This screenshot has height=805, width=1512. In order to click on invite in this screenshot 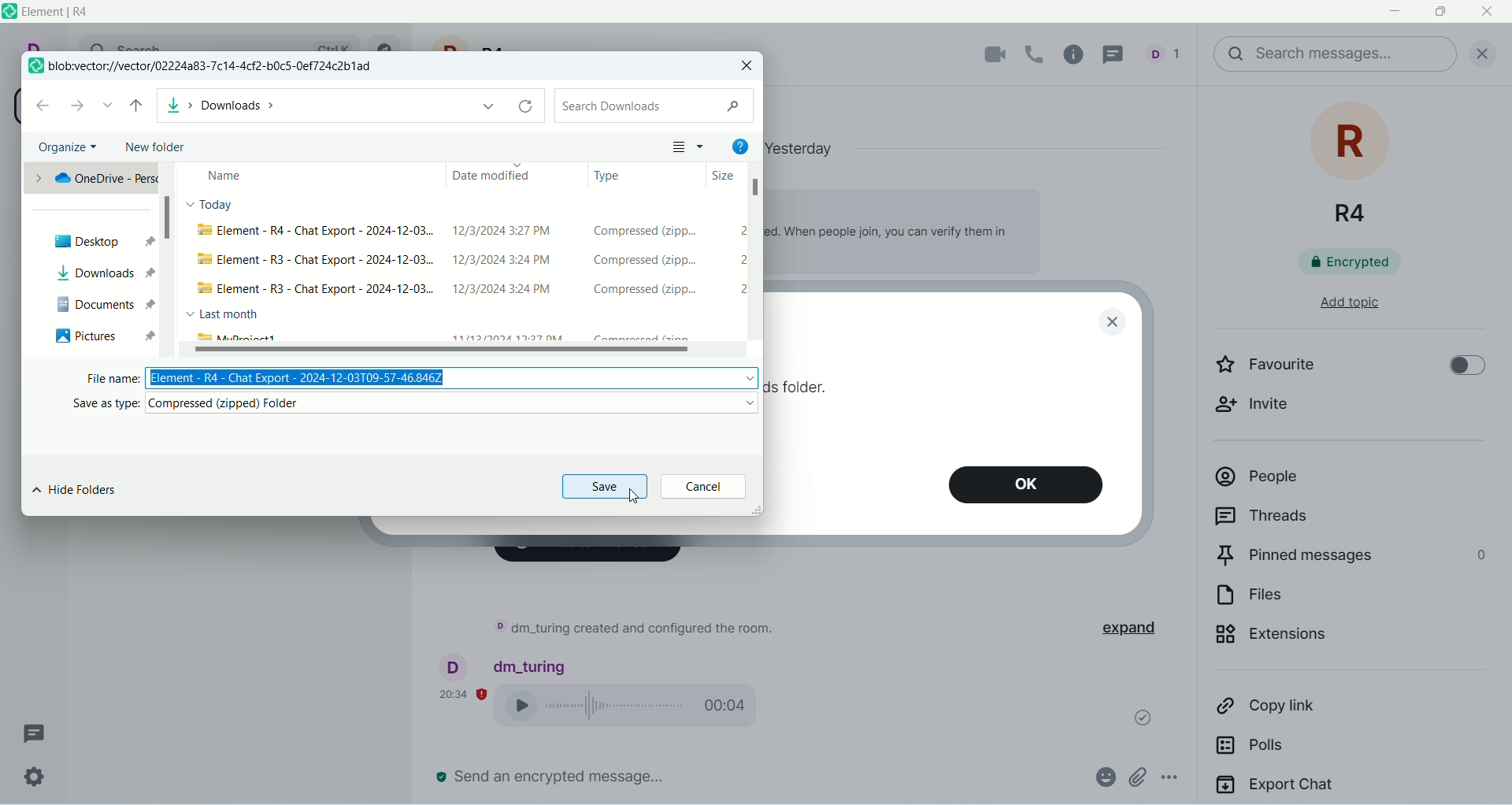, I will do `click(1265, 412)`.